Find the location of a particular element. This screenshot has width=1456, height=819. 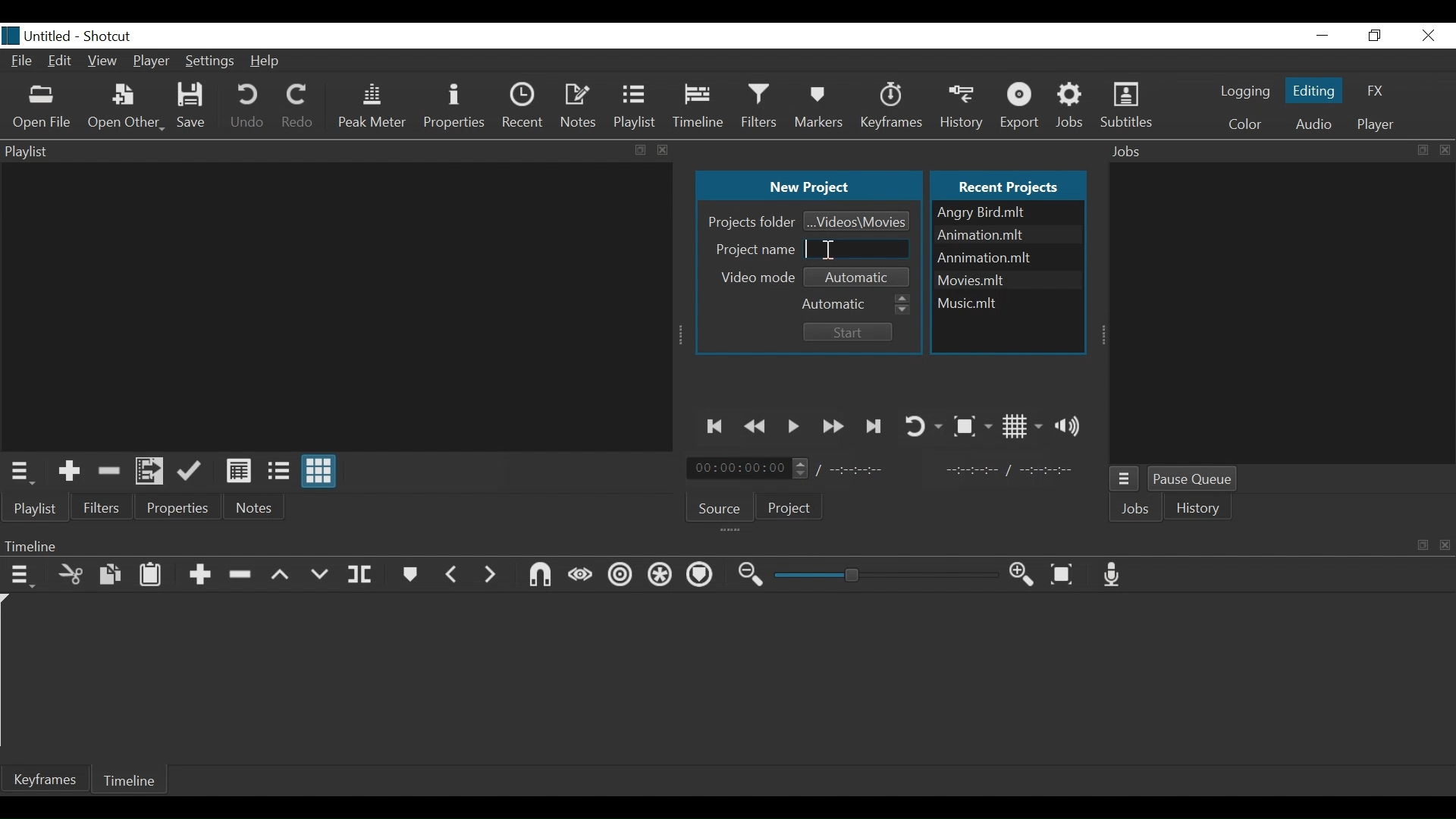

Filters is located at coordinates (762, 105).